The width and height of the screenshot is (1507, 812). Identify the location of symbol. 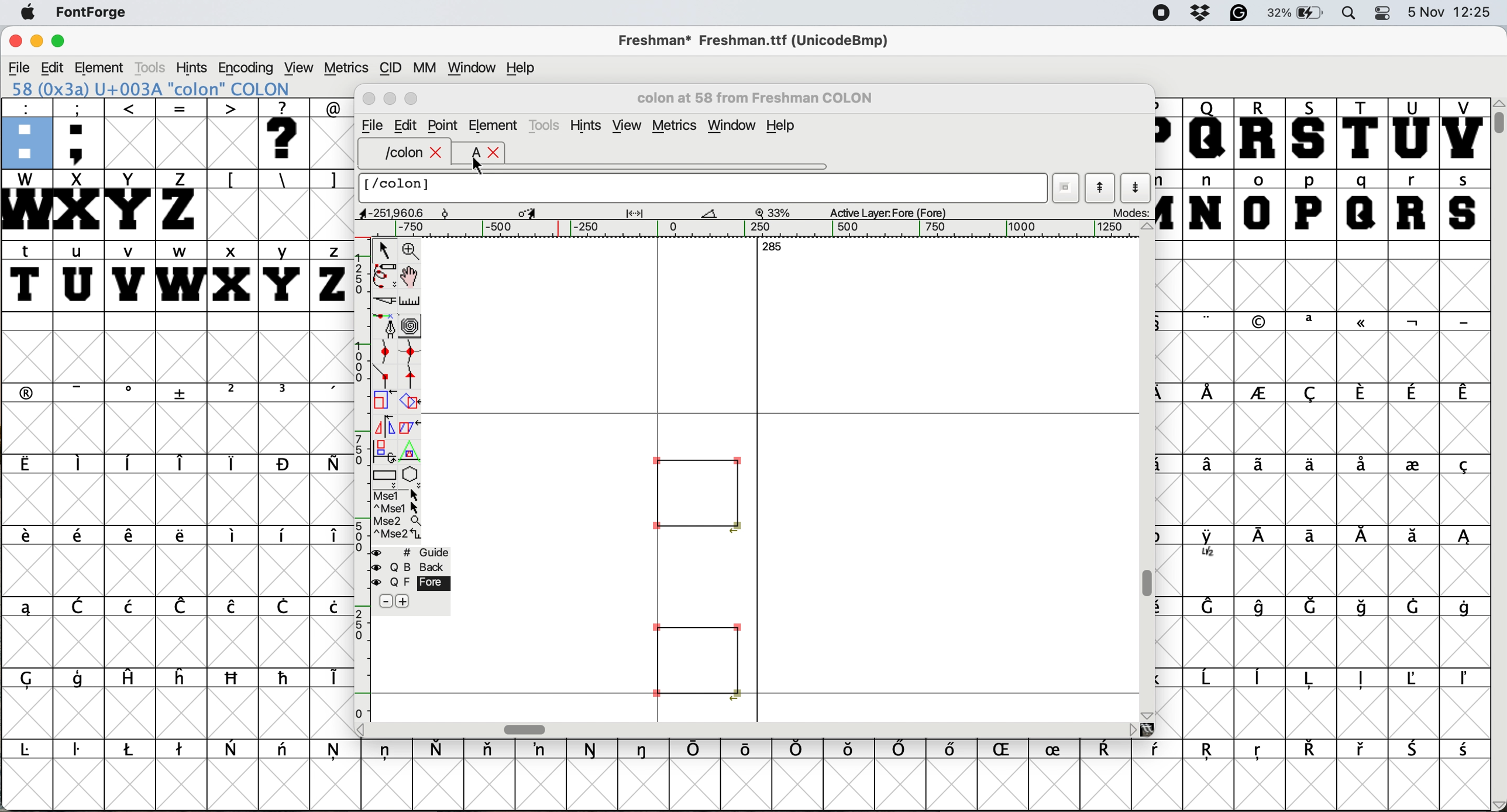
(1210, 466).